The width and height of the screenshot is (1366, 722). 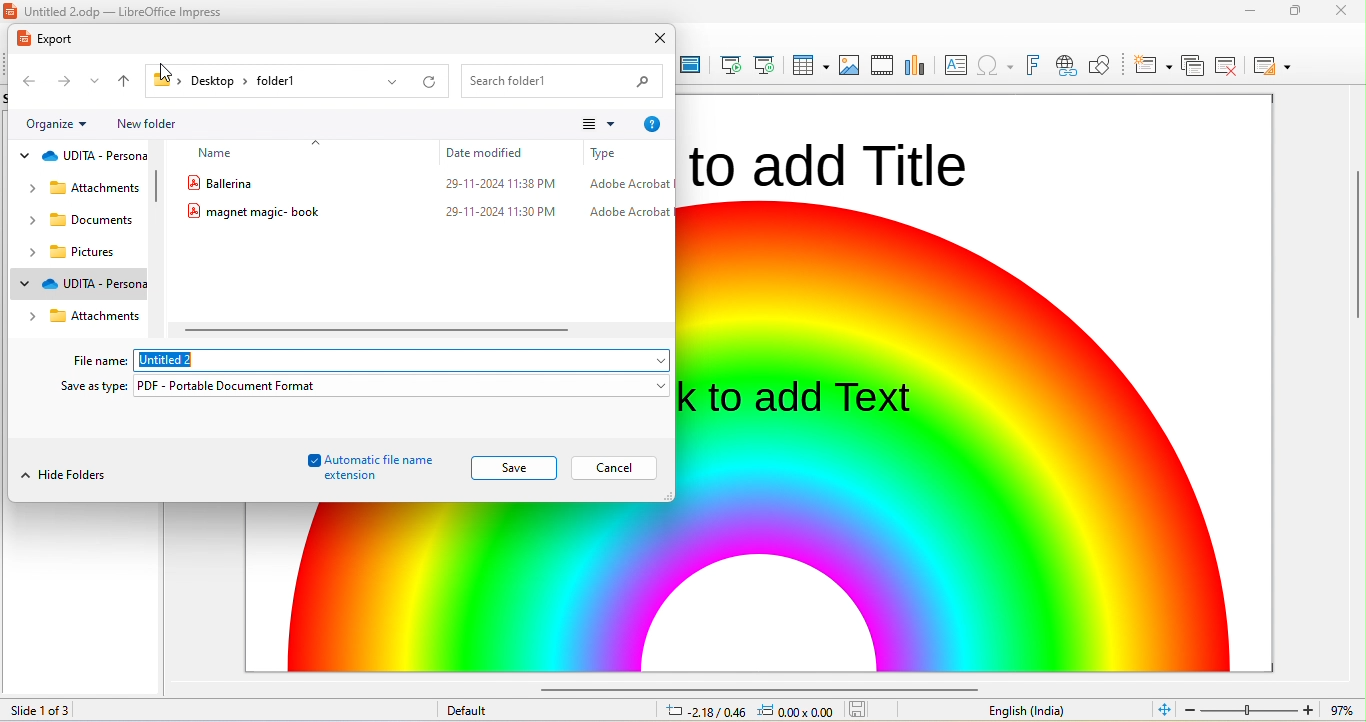 What do you see at coordinates (1101, 66) in the screenshot?
I see `show draw functions` at bounding box center [1101, 66].